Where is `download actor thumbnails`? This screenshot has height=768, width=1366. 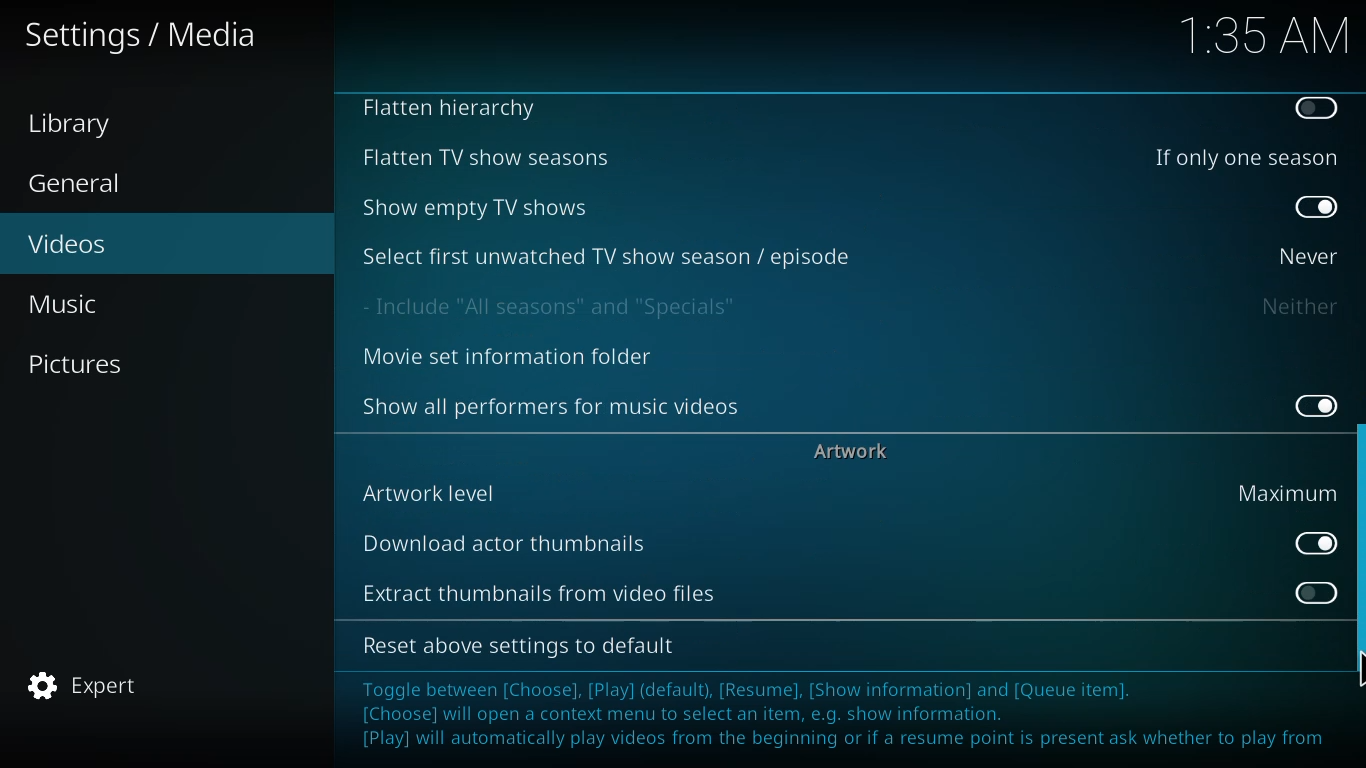 download actor thumbnails is located at coordinates (507, 542).